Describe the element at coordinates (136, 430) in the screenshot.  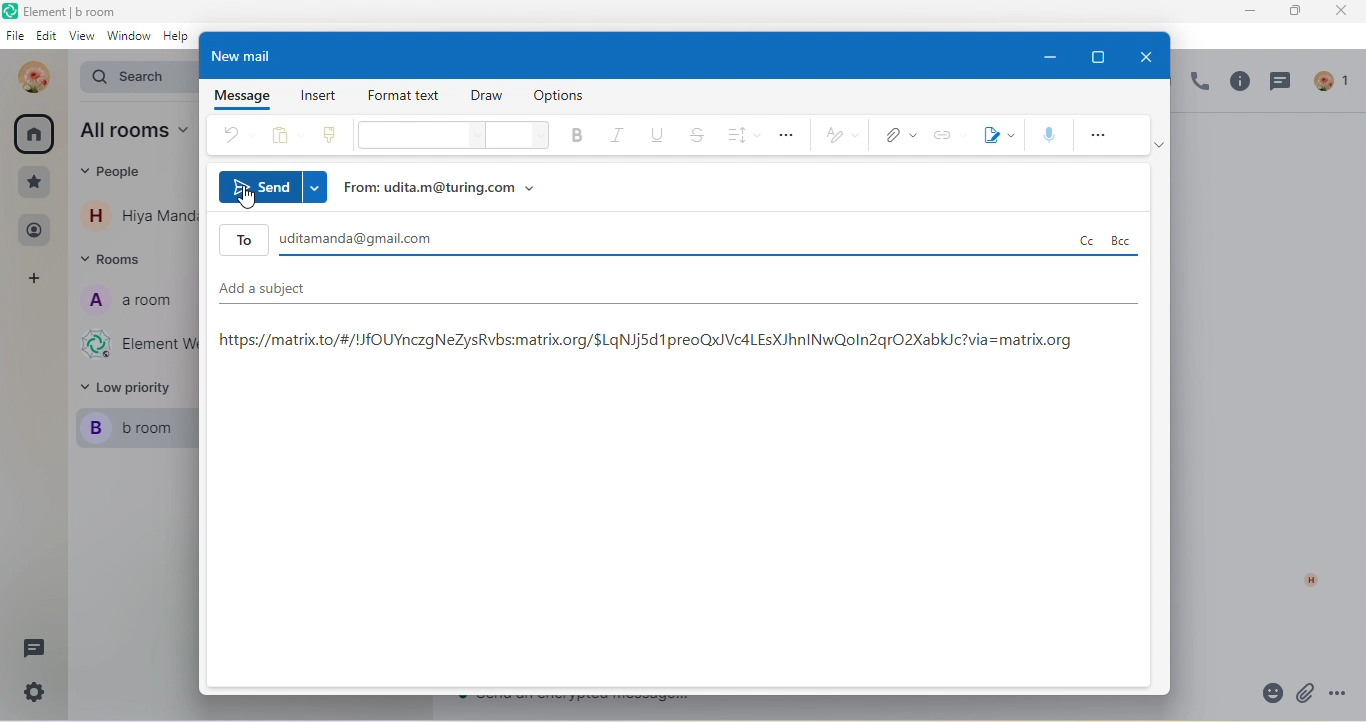
I see `b room` at that location.